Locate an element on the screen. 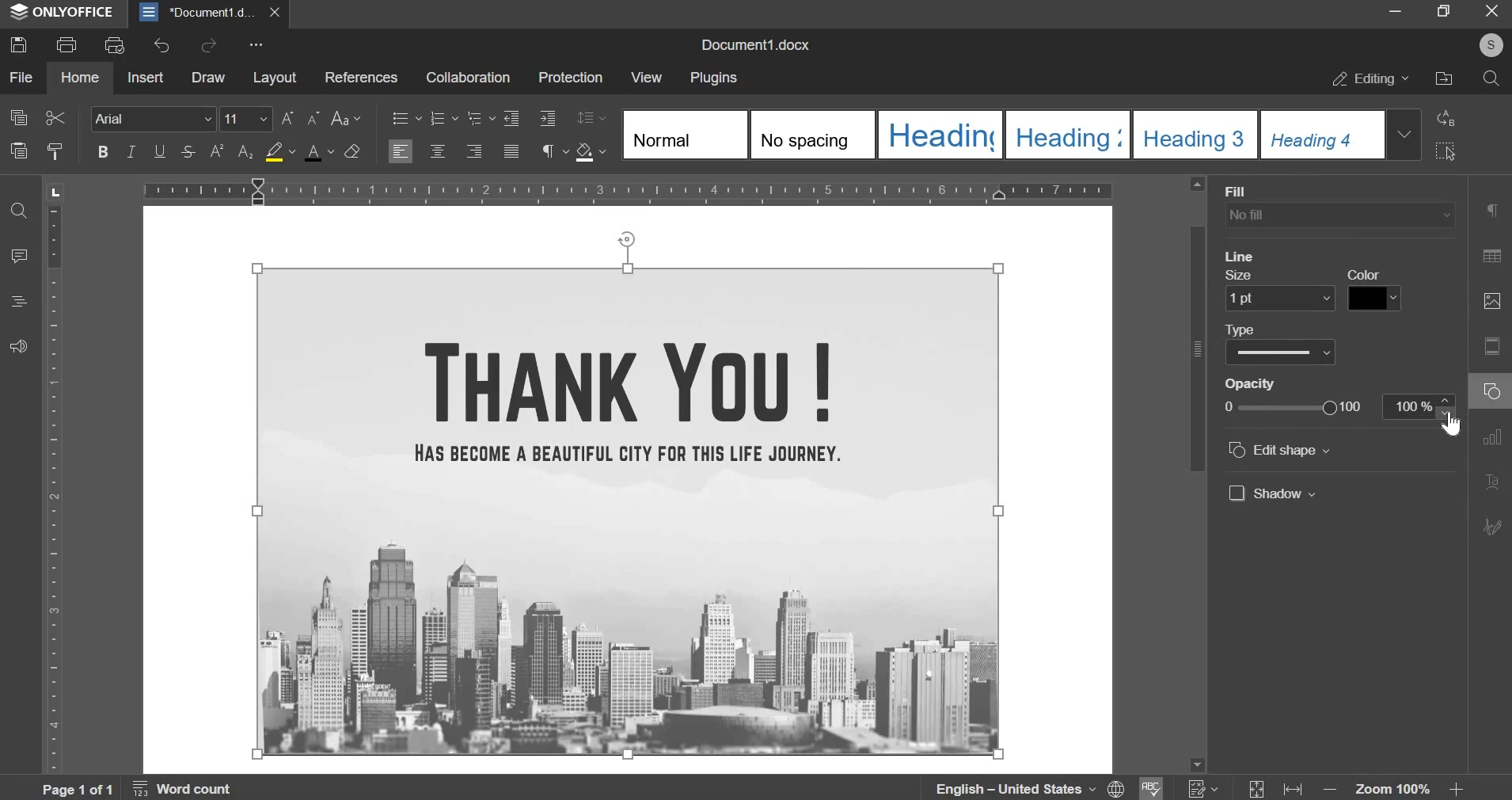 This screenshot has width=1512, height=800. Heading 3 is located at coordinates (1066, 135).